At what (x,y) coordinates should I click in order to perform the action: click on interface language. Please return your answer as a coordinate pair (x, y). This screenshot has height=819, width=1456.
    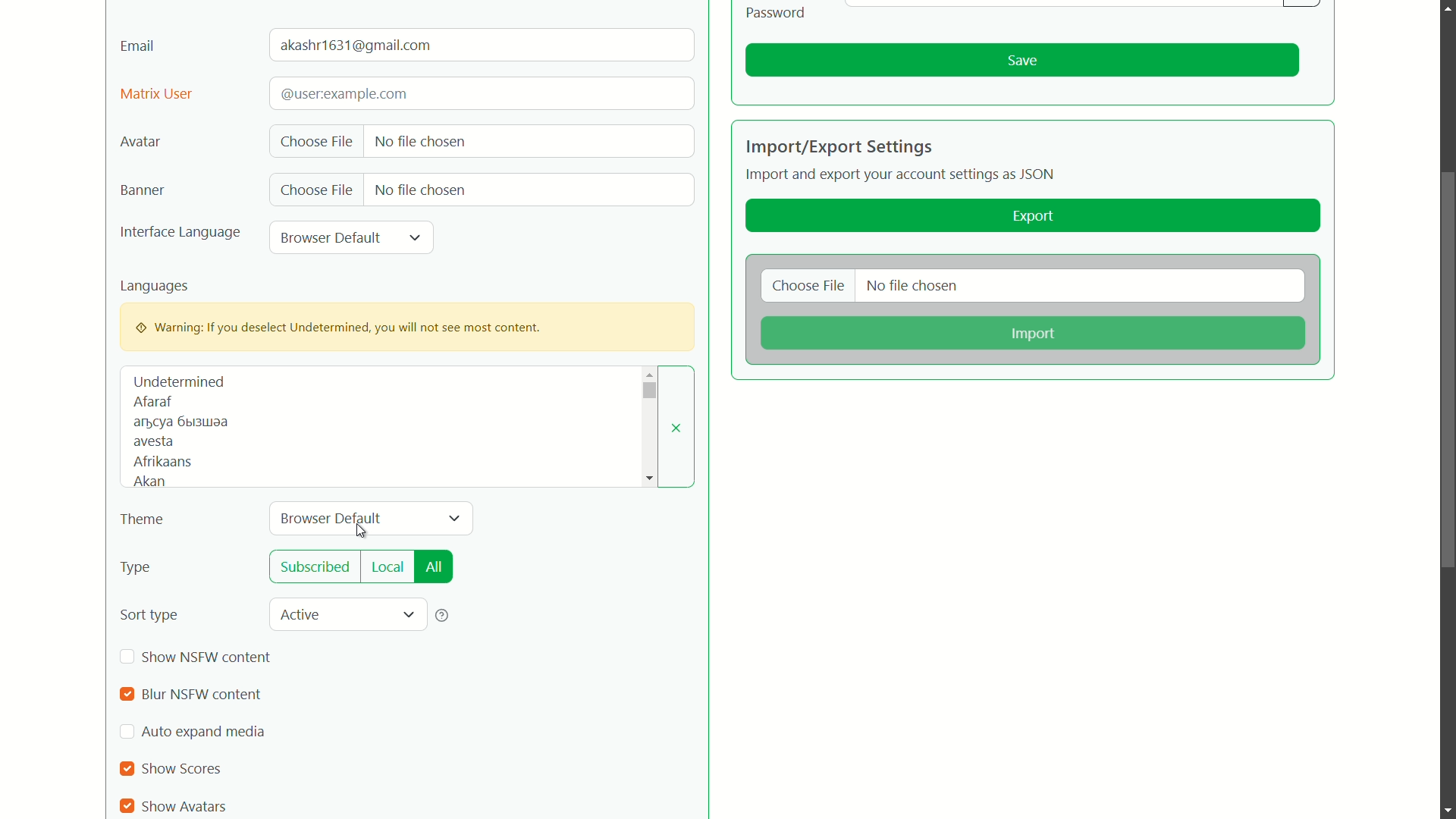
    Looking at the image, I should click on (180, 234).